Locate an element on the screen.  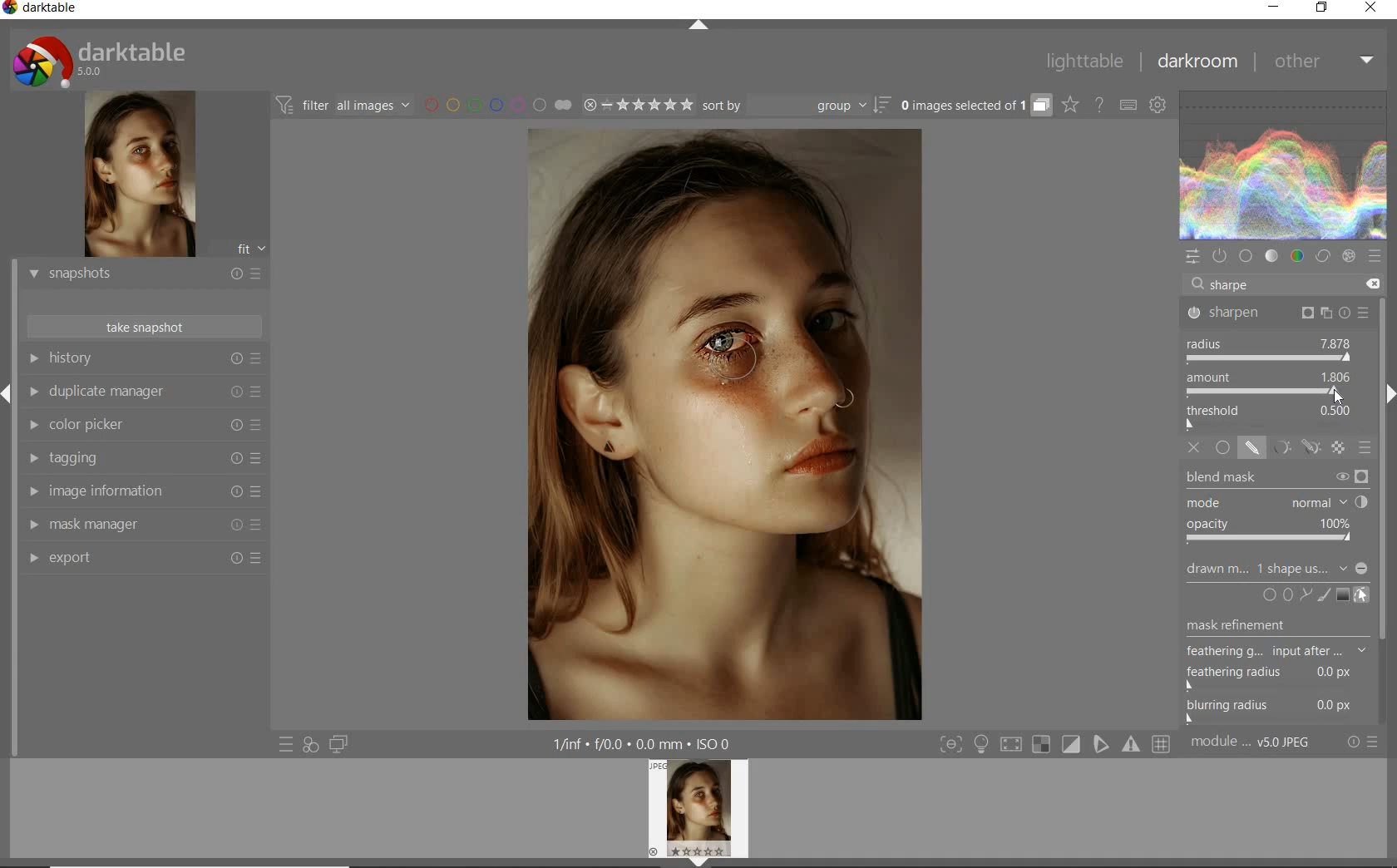
BLENDING OPTIONS is located at coordinates (1366, 447).